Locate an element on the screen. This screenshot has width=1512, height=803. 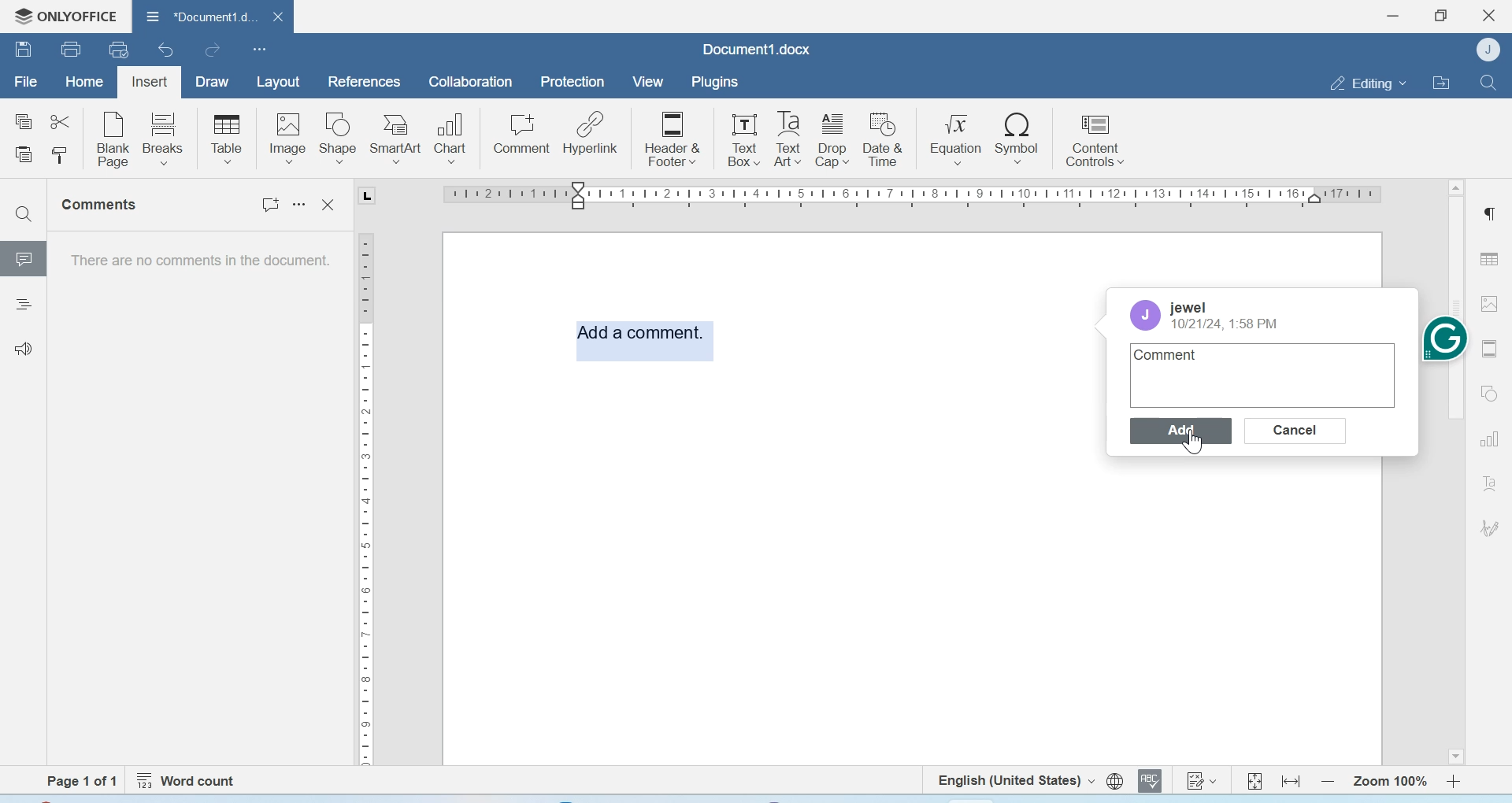
Content controls is located at coordinates (1094, 138).